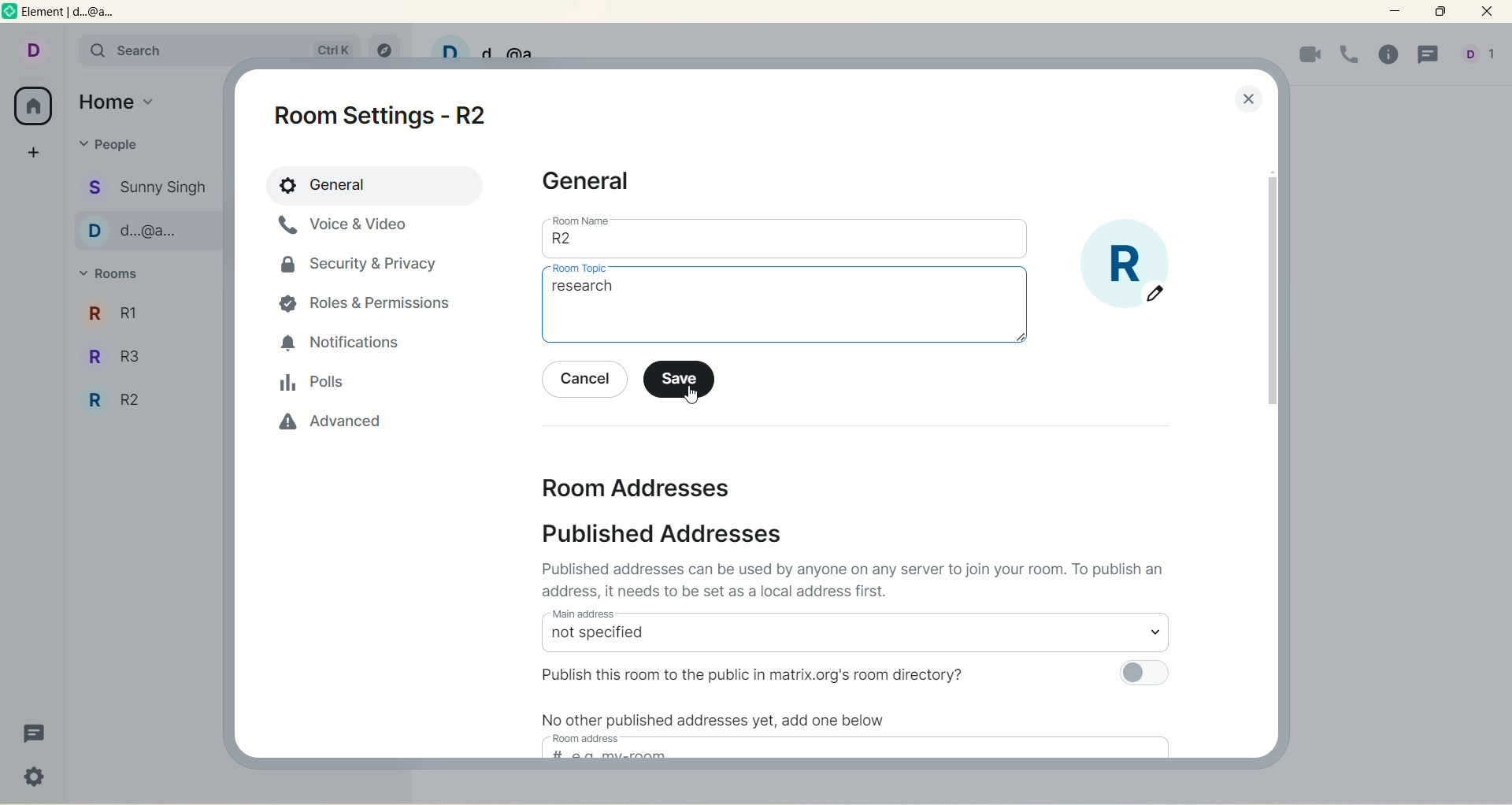  I want to click on toggle, so click(1147, 673).